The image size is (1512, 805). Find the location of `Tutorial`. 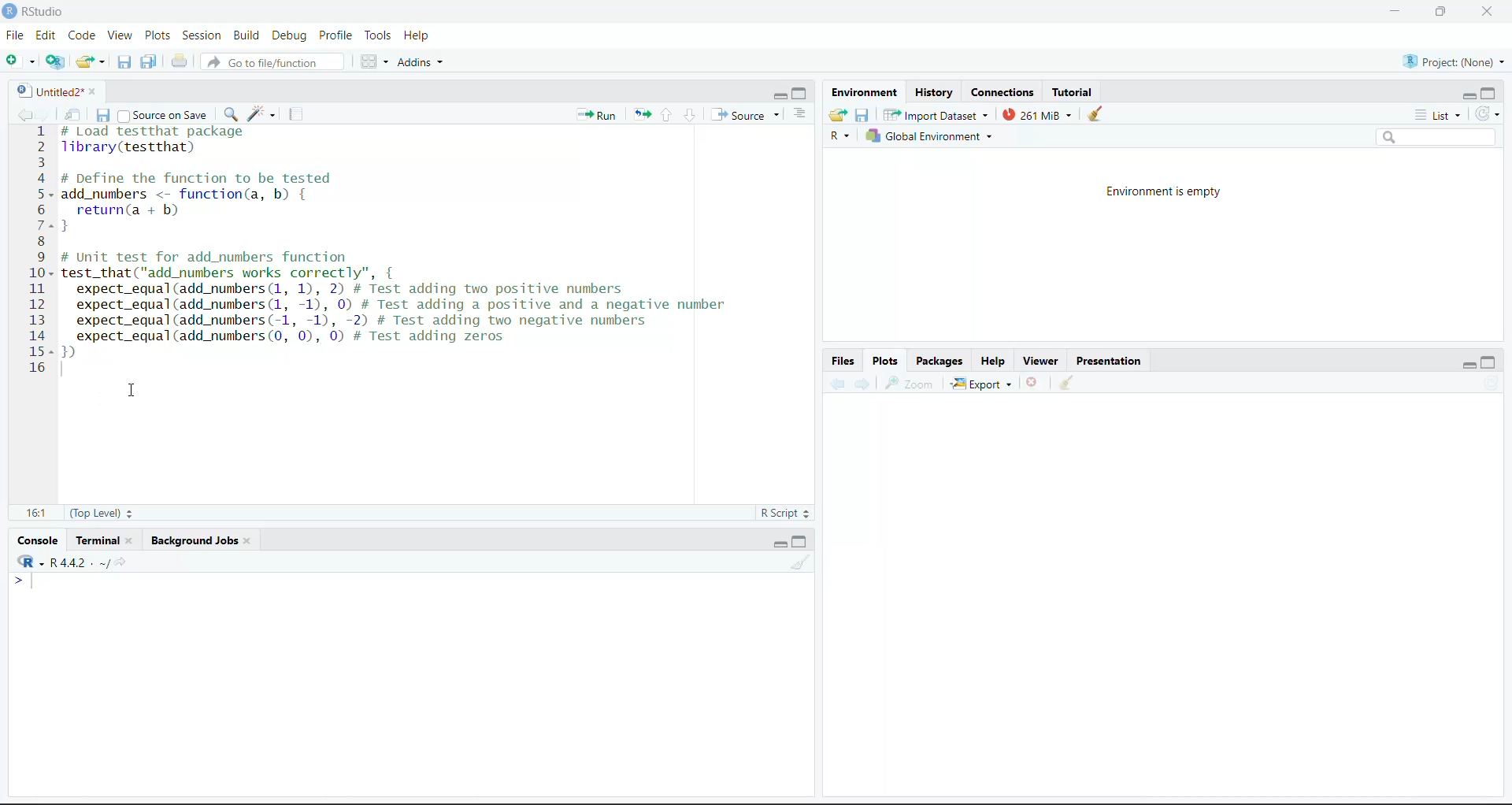

Tutorial is located at coordinates (1075, 91).